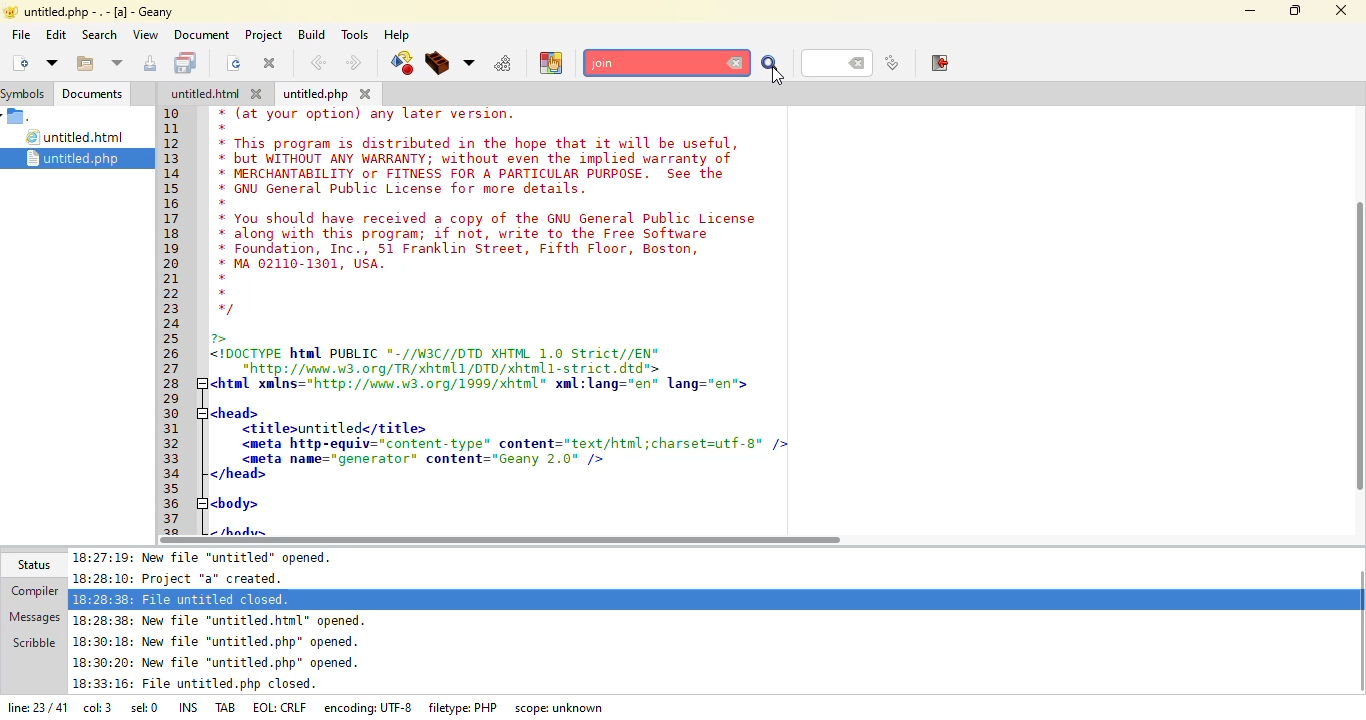 This screenshot has height=720, width=1366. I want to click on 29, so click(174, 397).